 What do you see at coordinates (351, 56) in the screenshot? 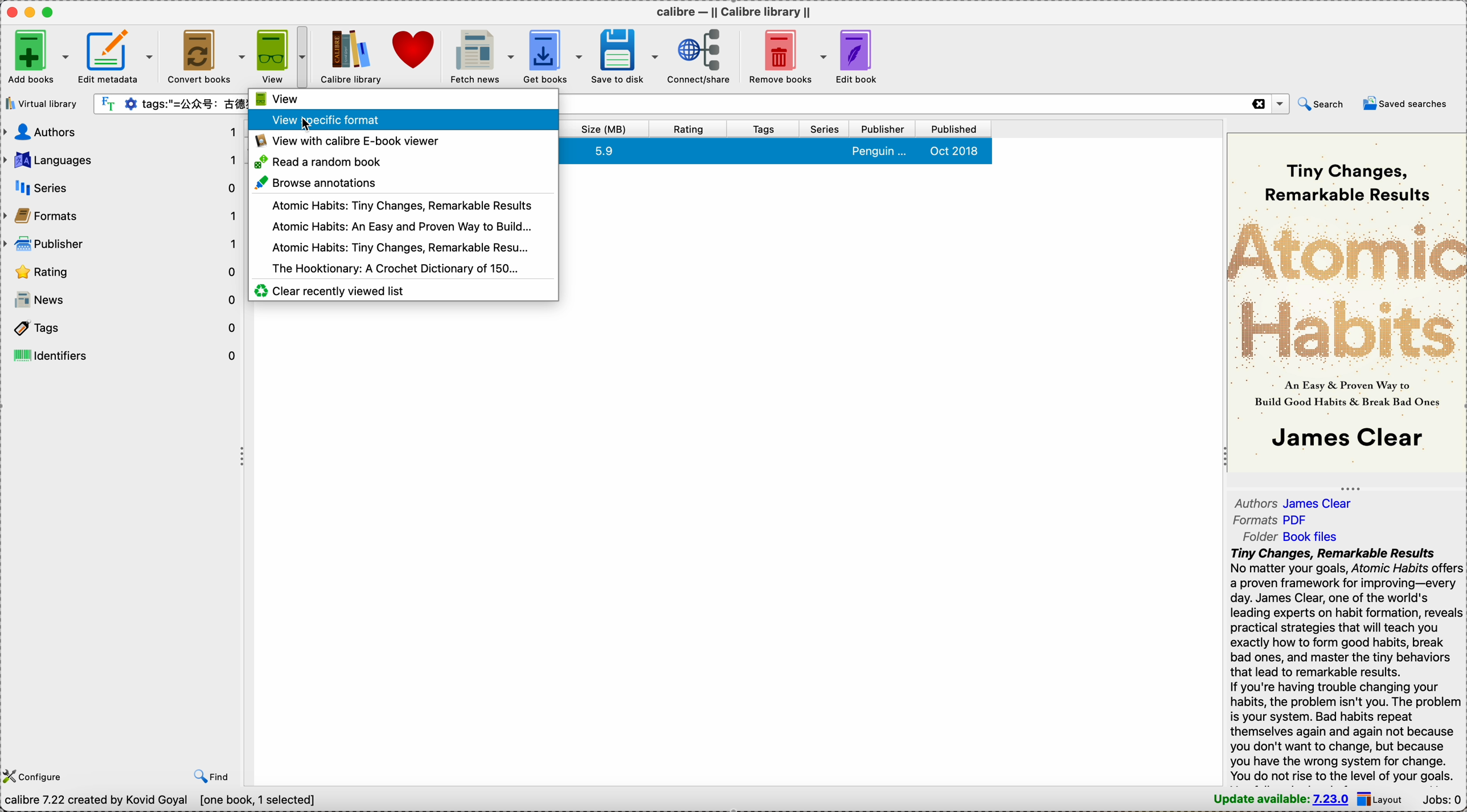
I see `Calibre library` at bounding box center [351, 56].